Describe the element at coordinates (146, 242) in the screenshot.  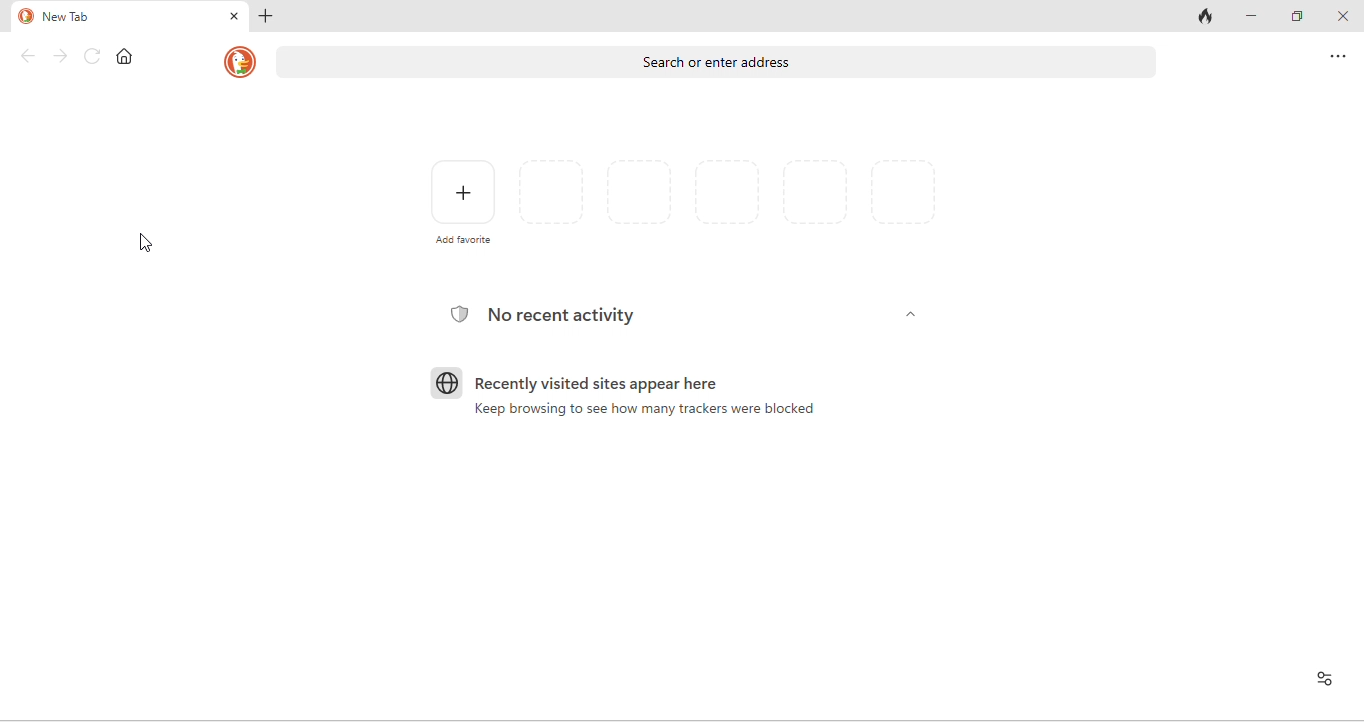
I see `cursor` at that location.